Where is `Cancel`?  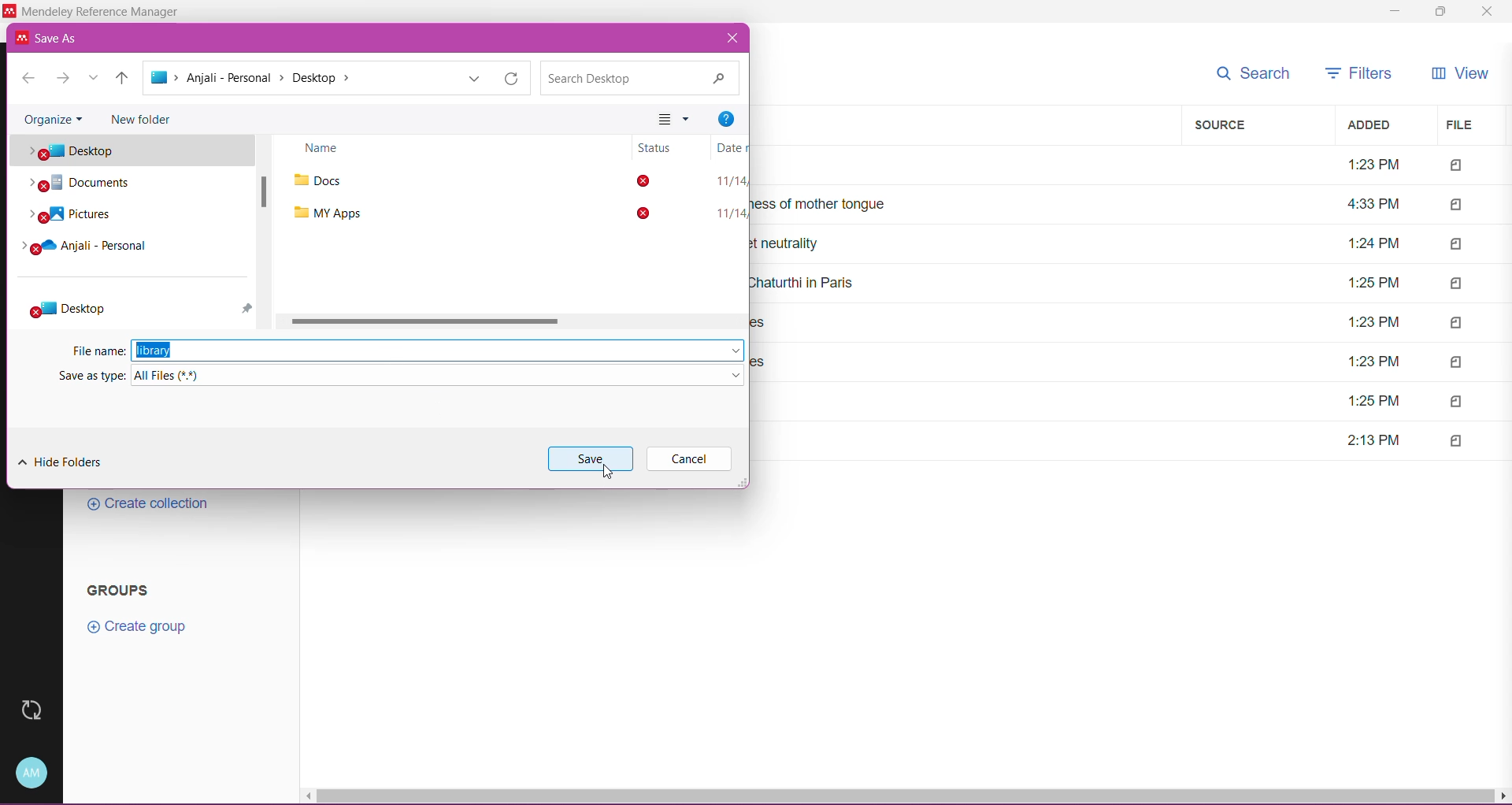 Cancel is located at coordinates (688, 459).